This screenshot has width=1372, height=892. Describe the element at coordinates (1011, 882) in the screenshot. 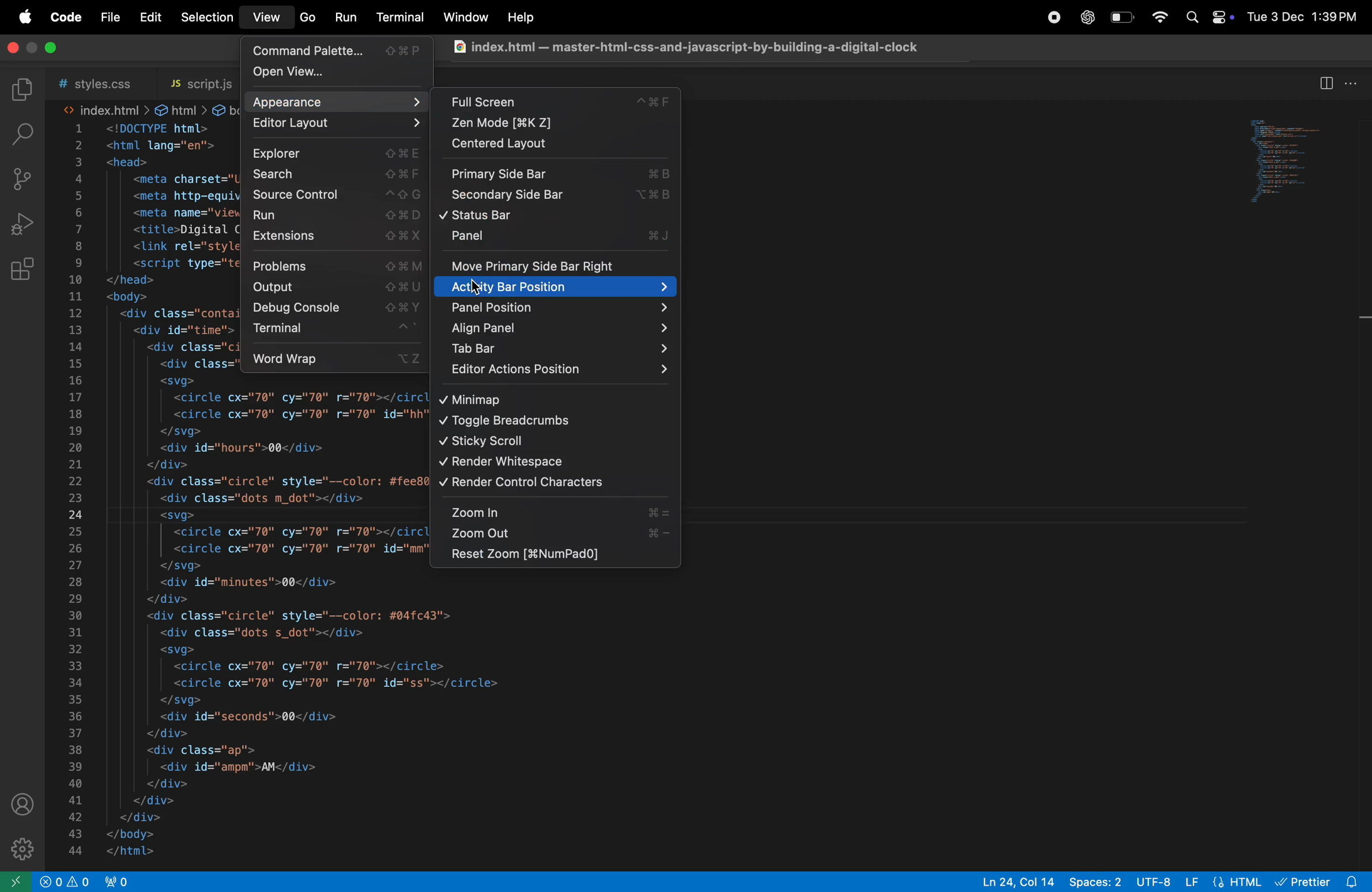

I see `ln col` at that location.